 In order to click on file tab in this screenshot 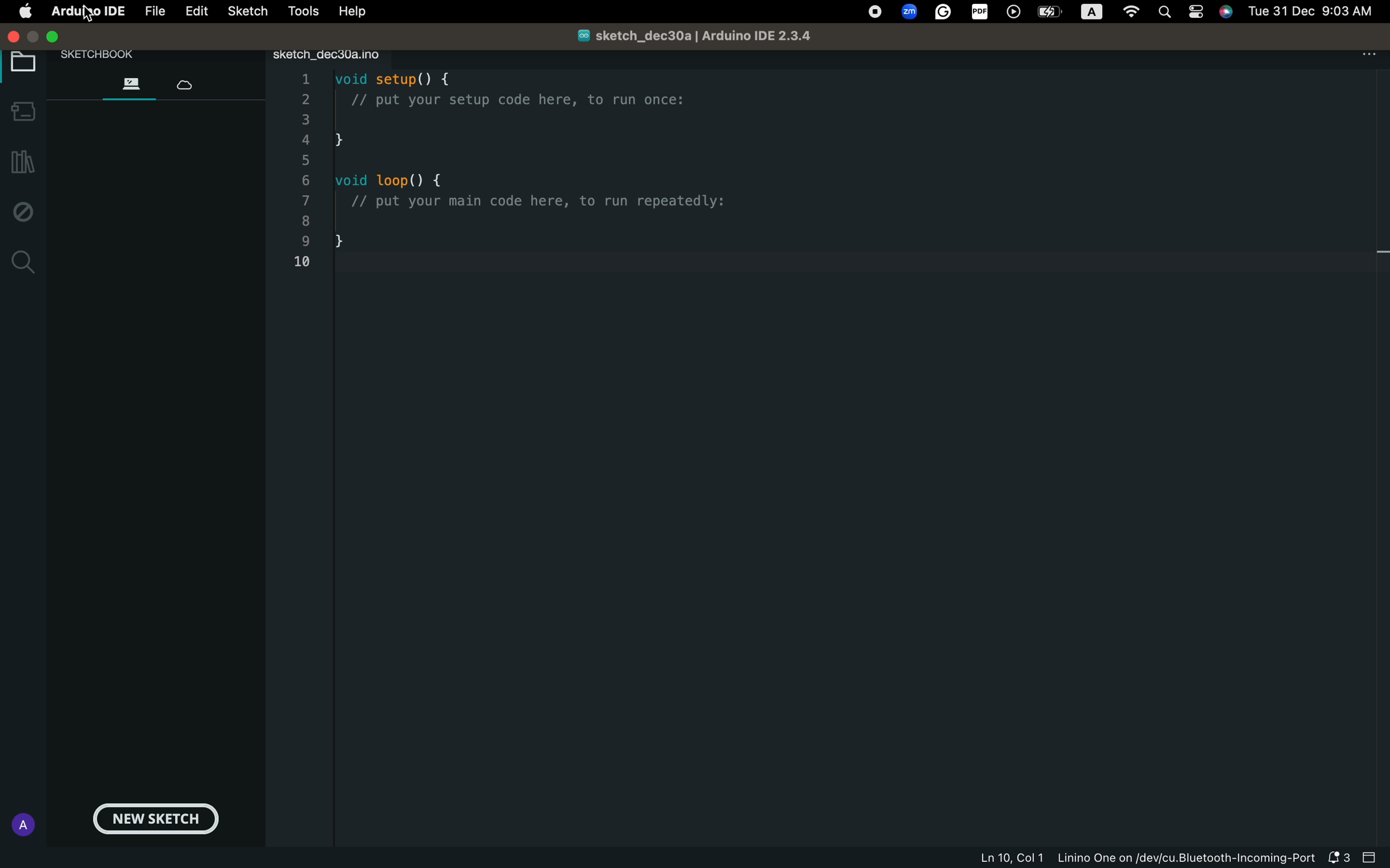, I will do `click(346, 55)`.